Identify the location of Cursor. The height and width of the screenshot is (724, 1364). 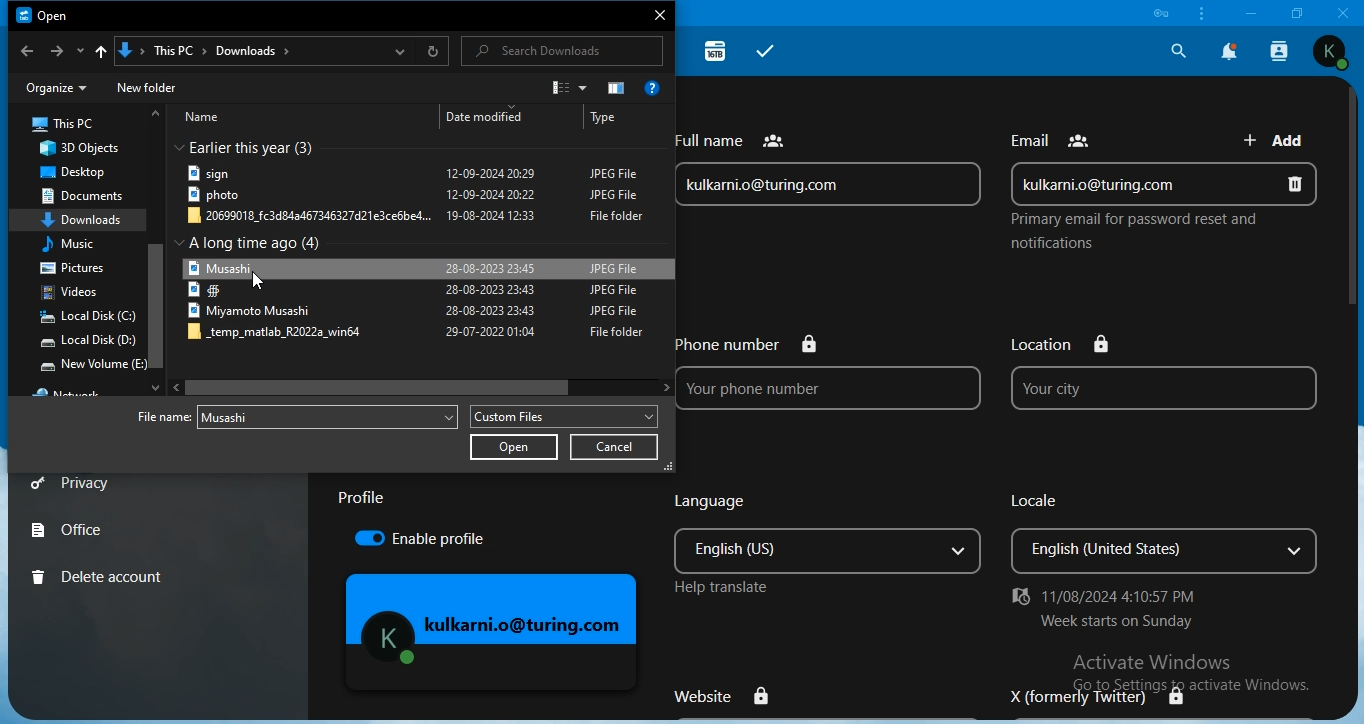
(382, 386).